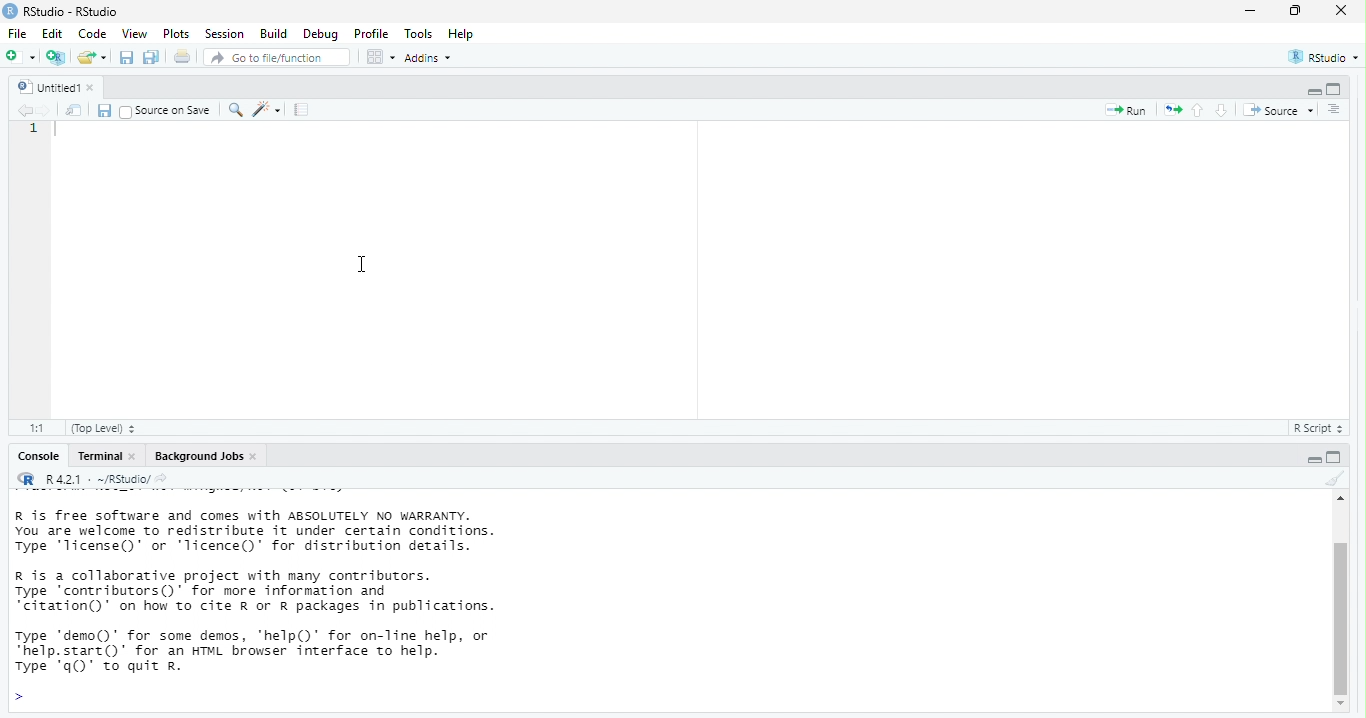 The width and height of the screenshot is (1366, 718). I want to click on move down, so click(1345, 703).